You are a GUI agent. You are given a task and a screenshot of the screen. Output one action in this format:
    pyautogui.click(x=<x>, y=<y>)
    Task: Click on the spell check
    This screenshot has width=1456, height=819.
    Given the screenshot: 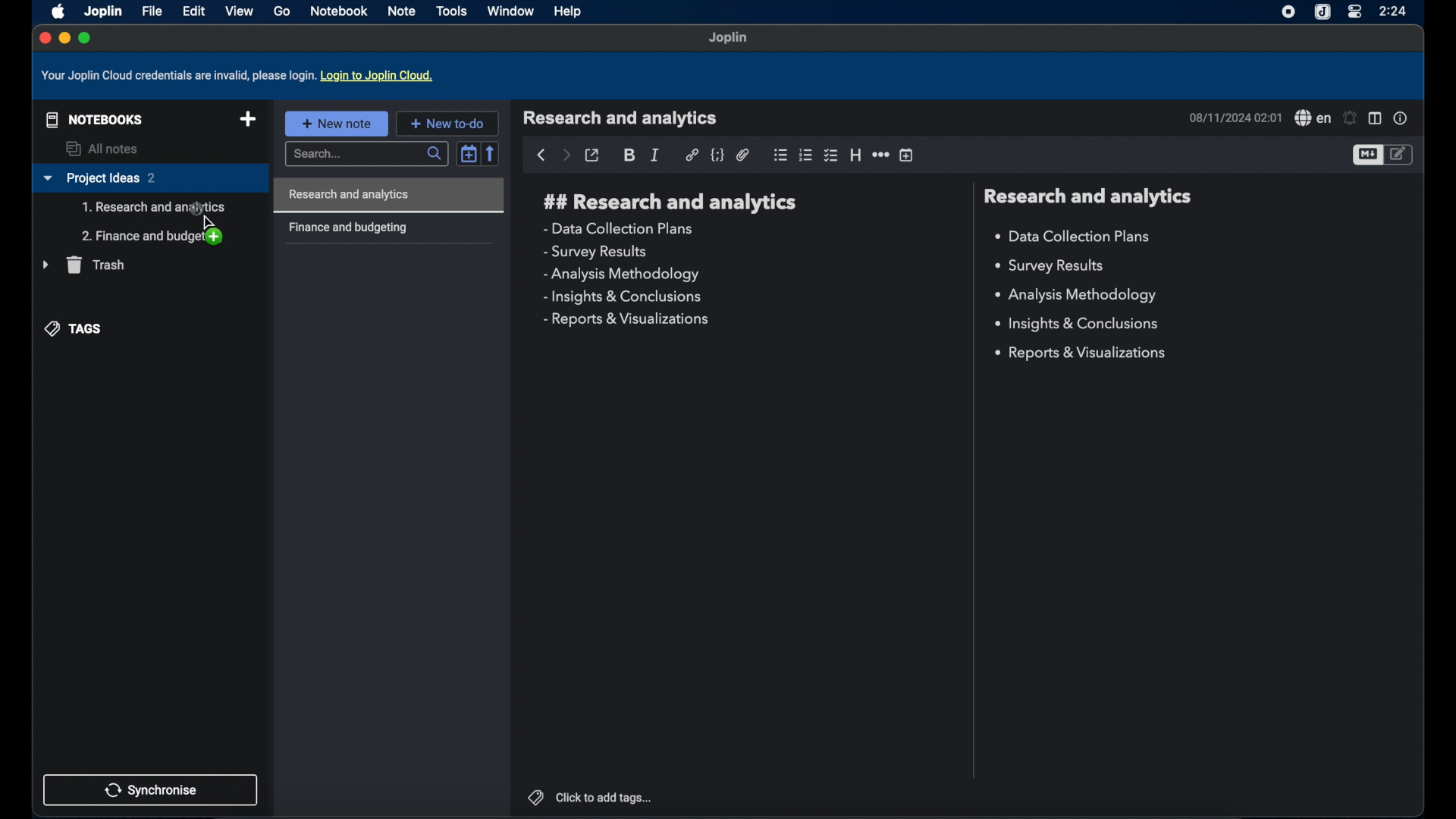 What is the action you would take?
    pyautogui.click(x=1312, y=118)
    